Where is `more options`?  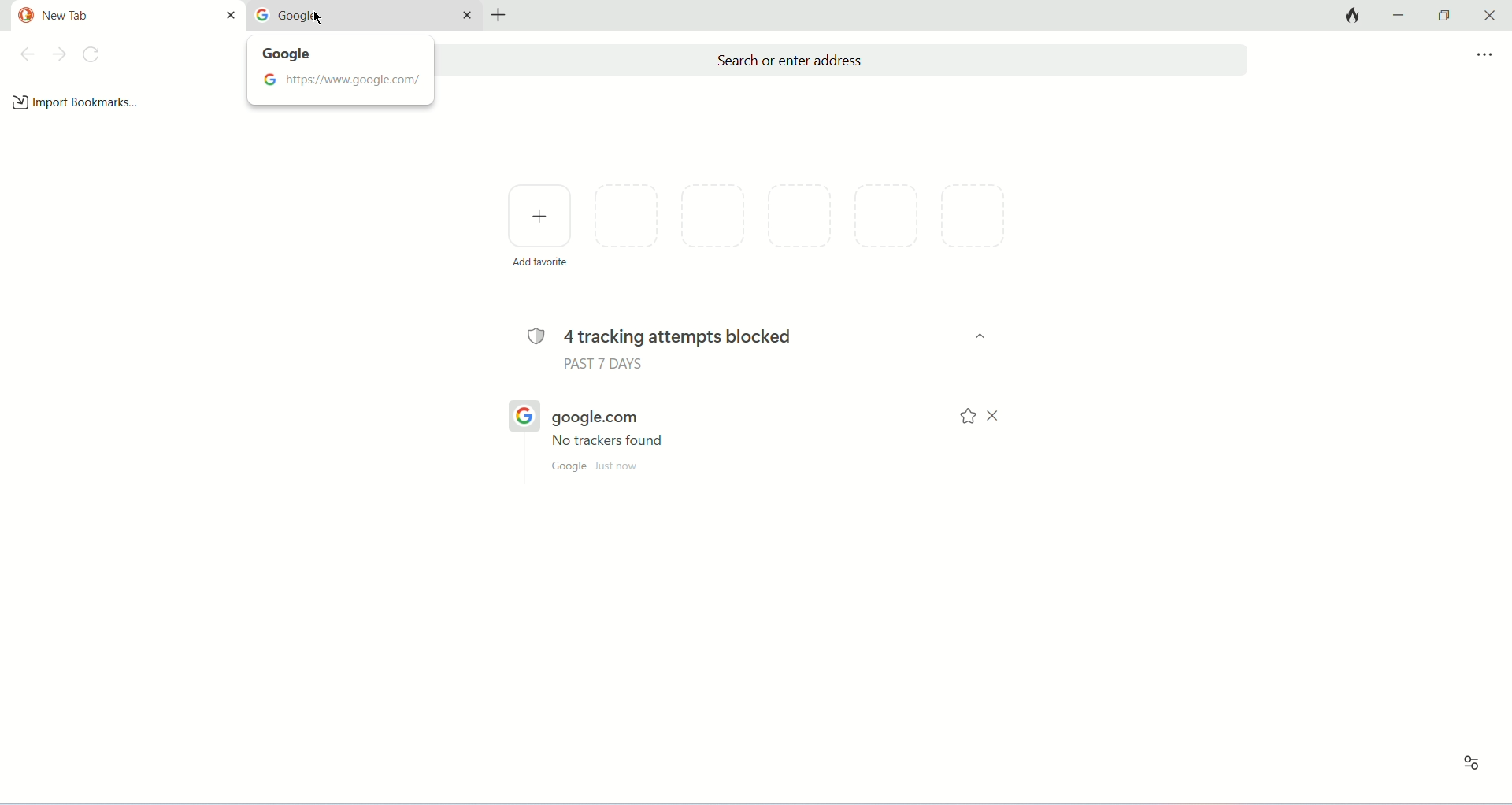
more options is located at coordinates (1484, 55).